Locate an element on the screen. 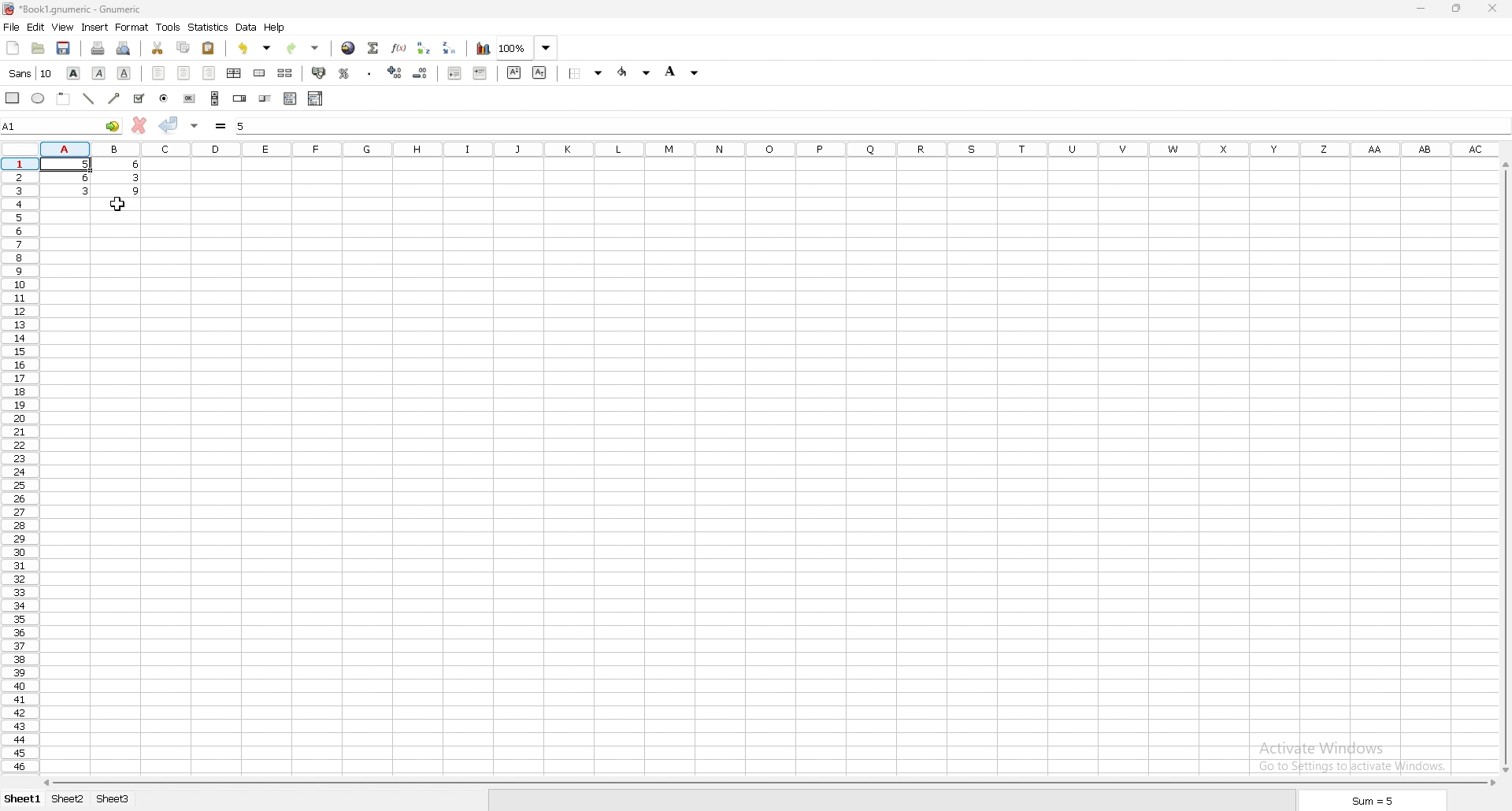 This screenshot has height=811, width=1512. frame is located at coordinates (63, 99).